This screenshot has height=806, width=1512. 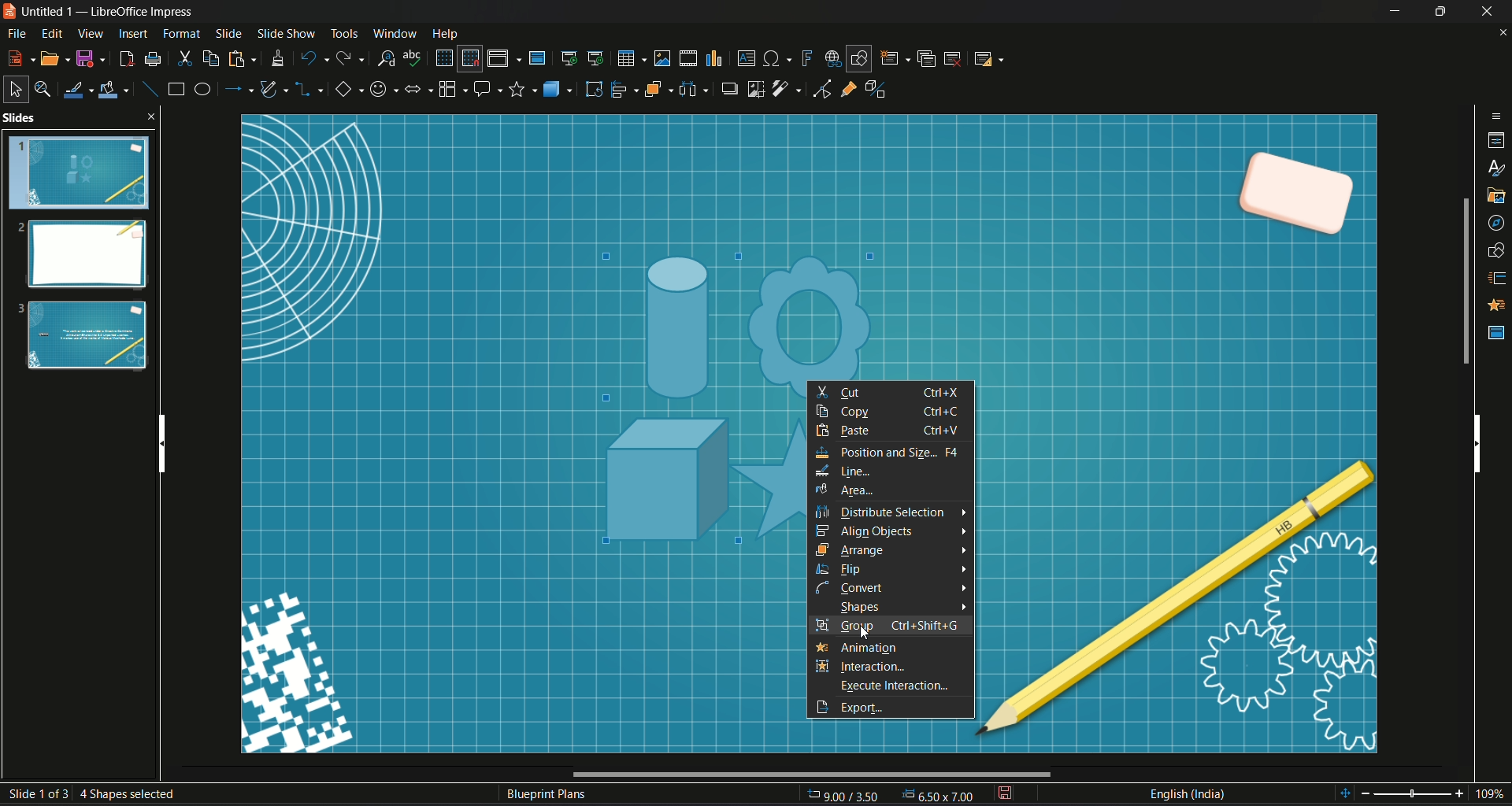 I want to click on flip, so click(x=842, y=569).